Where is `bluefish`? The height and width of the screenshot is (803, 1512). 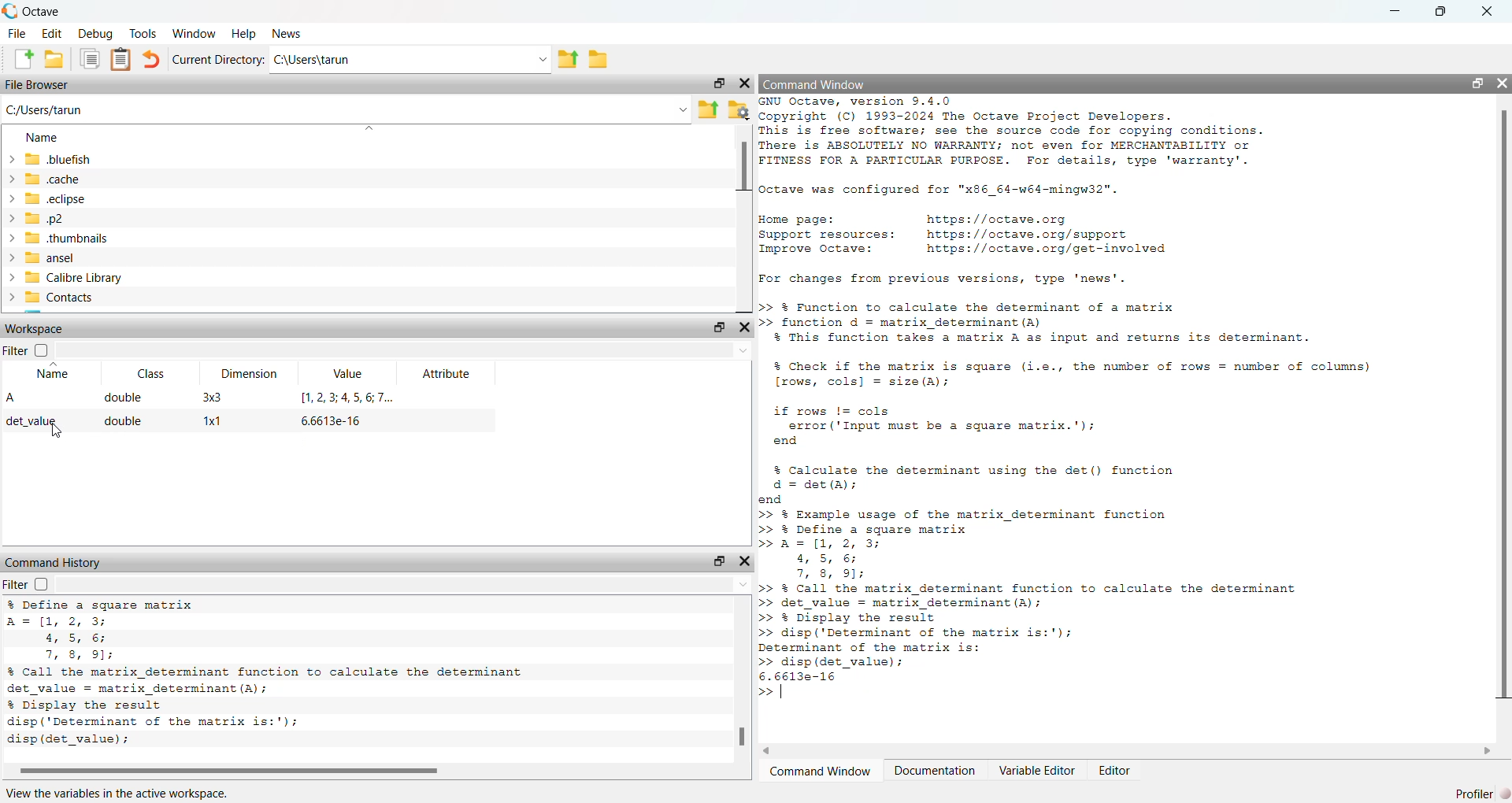
bluefish is located at coordinates (51, 160).